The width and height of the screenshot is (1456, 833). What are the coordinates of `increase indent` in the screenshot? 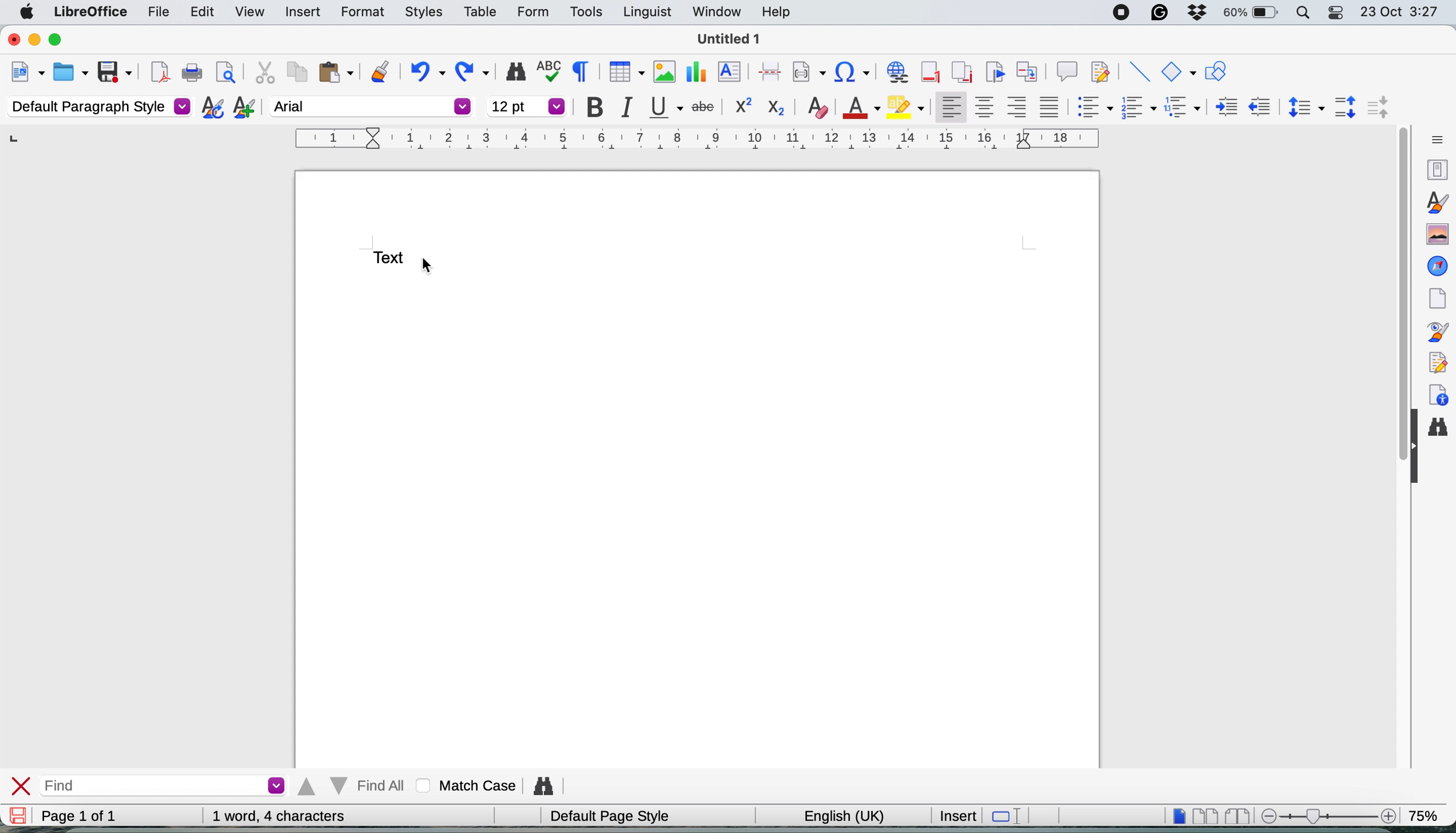 It's located at (1220, 107).